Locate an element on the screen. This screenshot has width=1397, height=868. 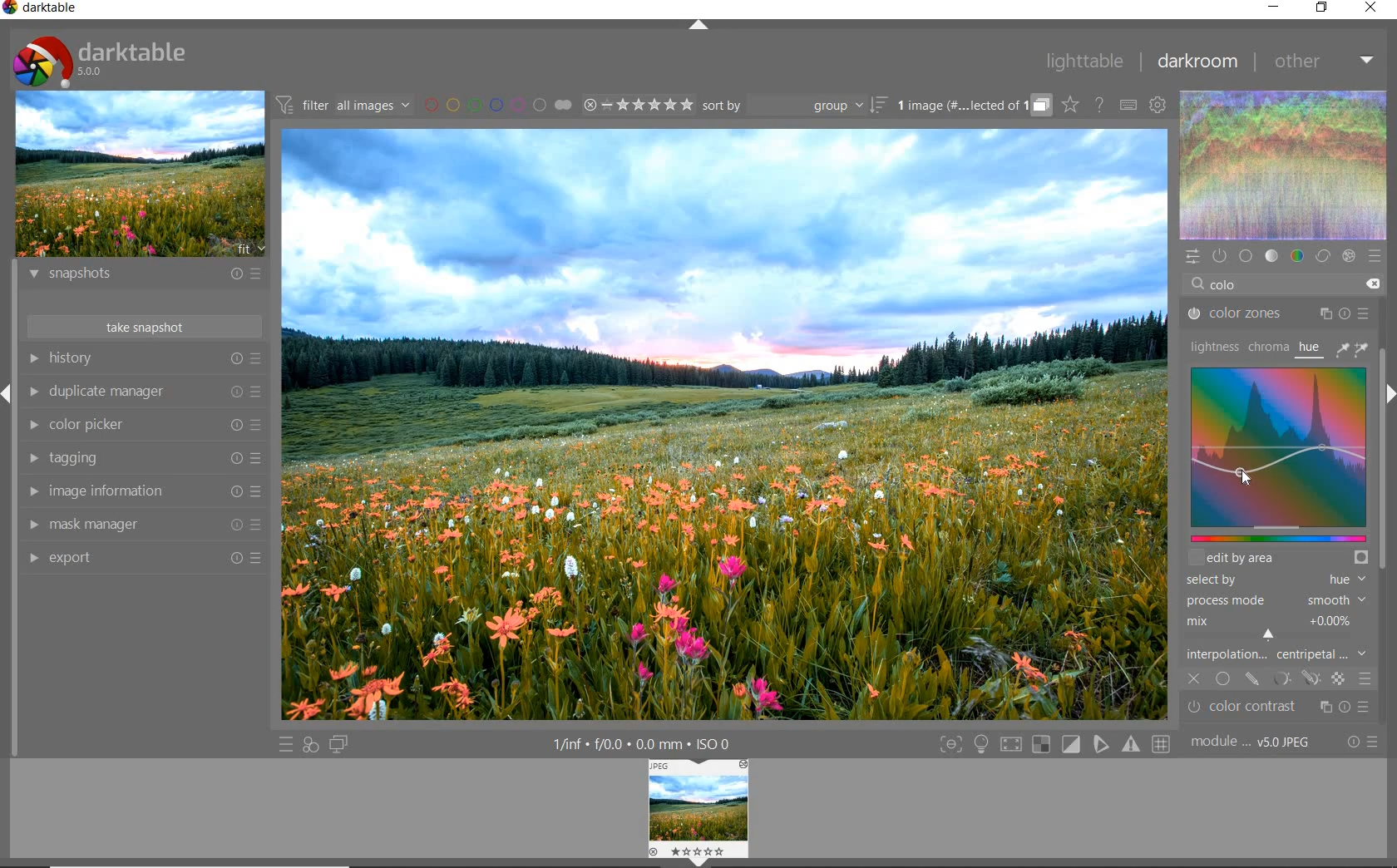
expand/collapse is located at coordinates (701, 26).